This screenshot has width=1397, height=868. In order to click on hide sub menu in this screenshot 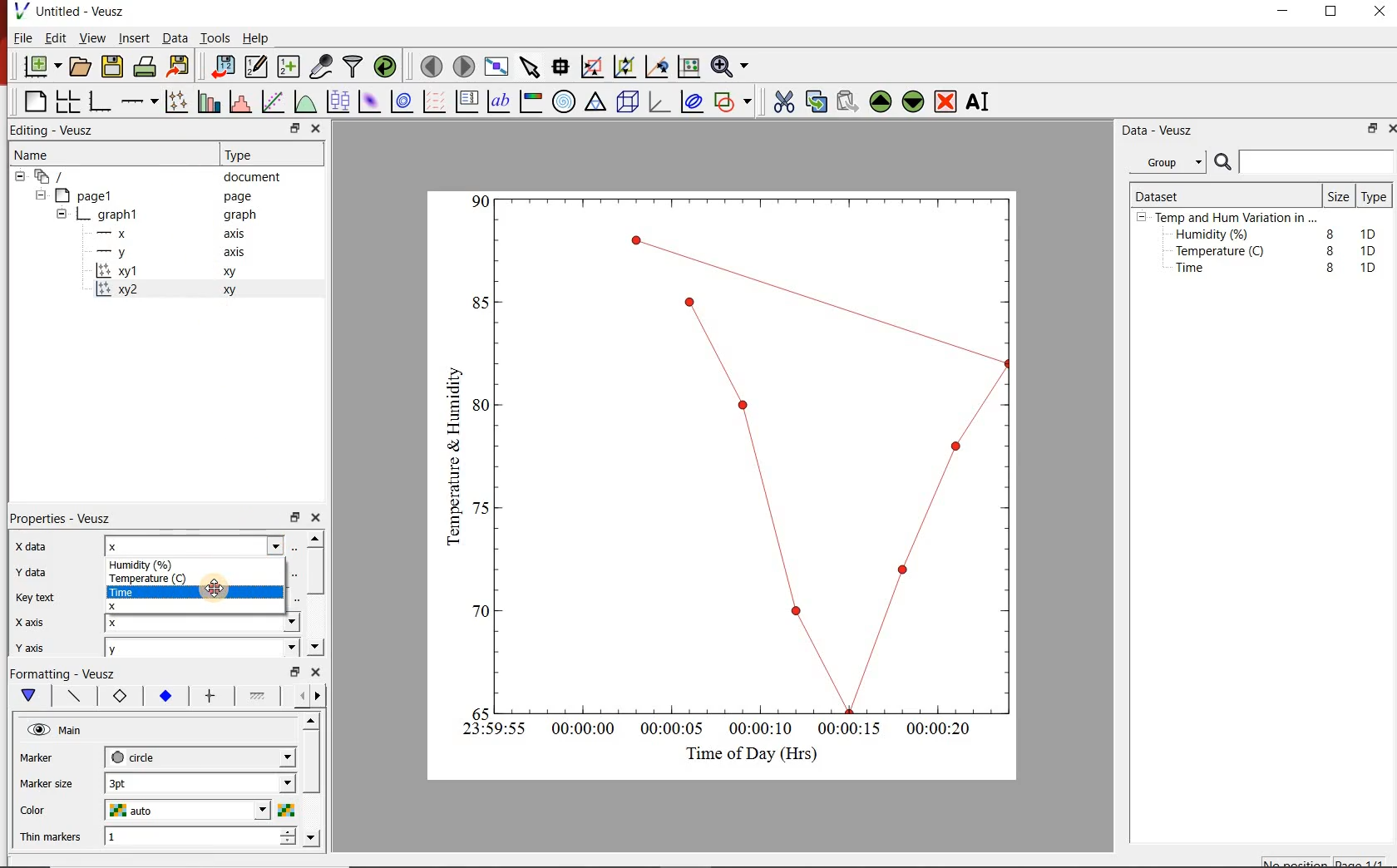, I will do `click(1142, 219)`.